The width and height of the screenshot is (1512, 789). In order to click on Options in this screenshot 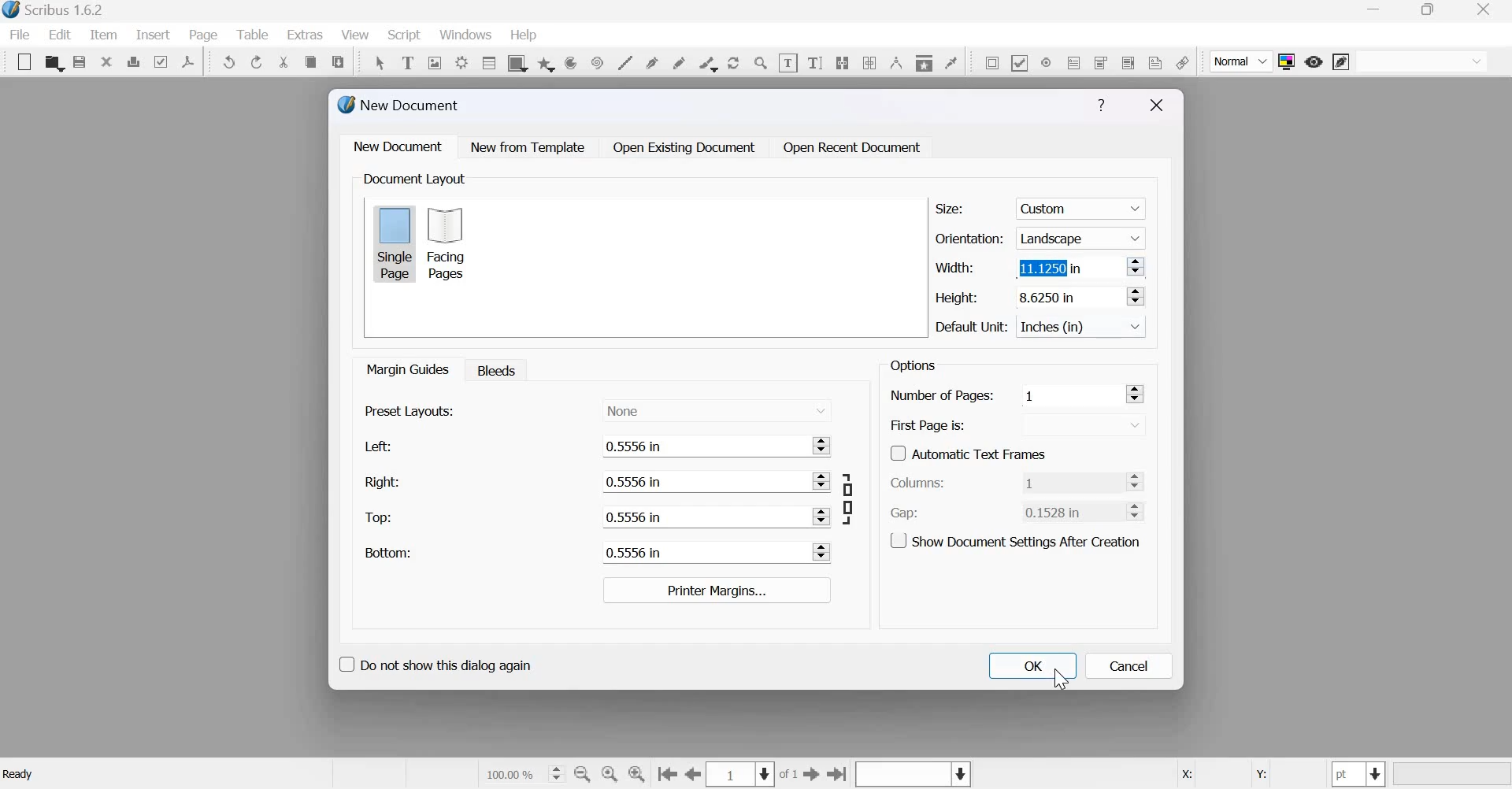, I will do `click(910, 365)`.